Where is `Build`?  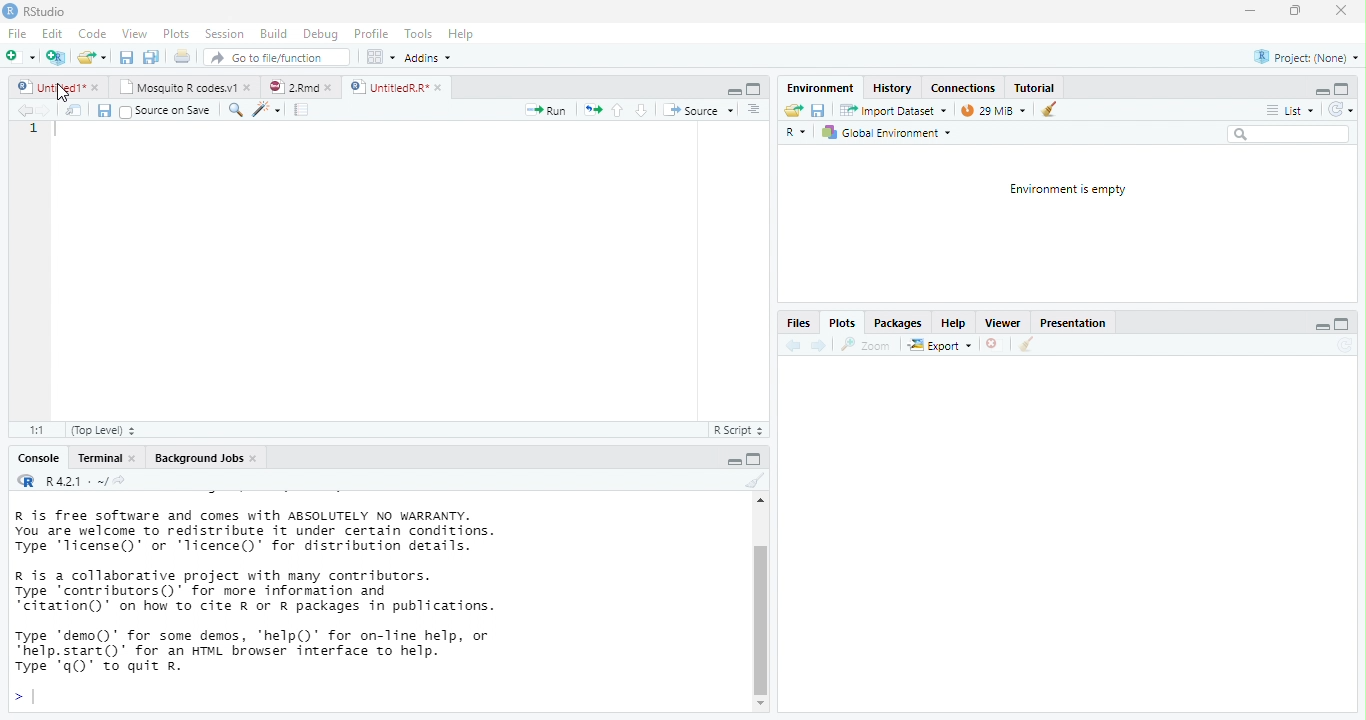 Build is located at coordinates (273, 34).